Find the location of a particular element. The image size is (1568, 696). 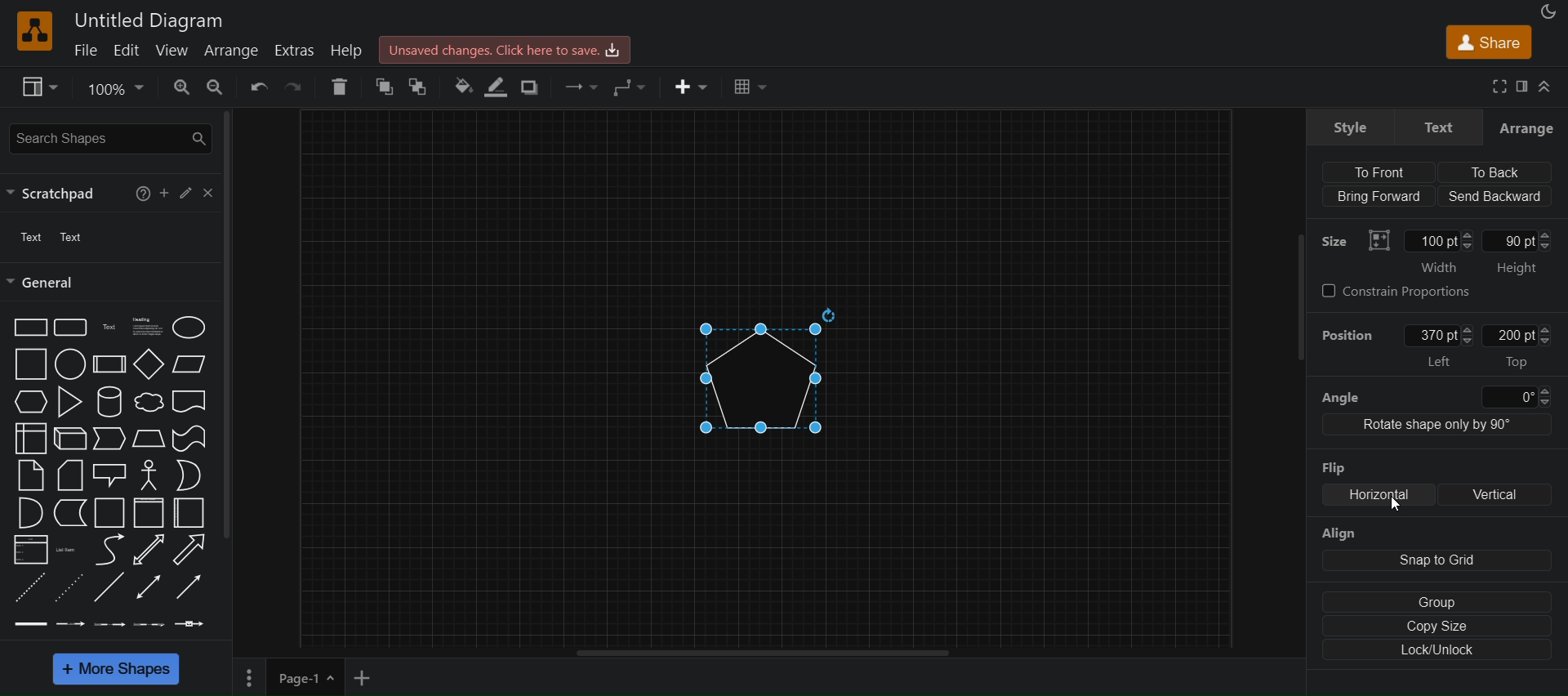

Link is located at coordinates (31, 624).